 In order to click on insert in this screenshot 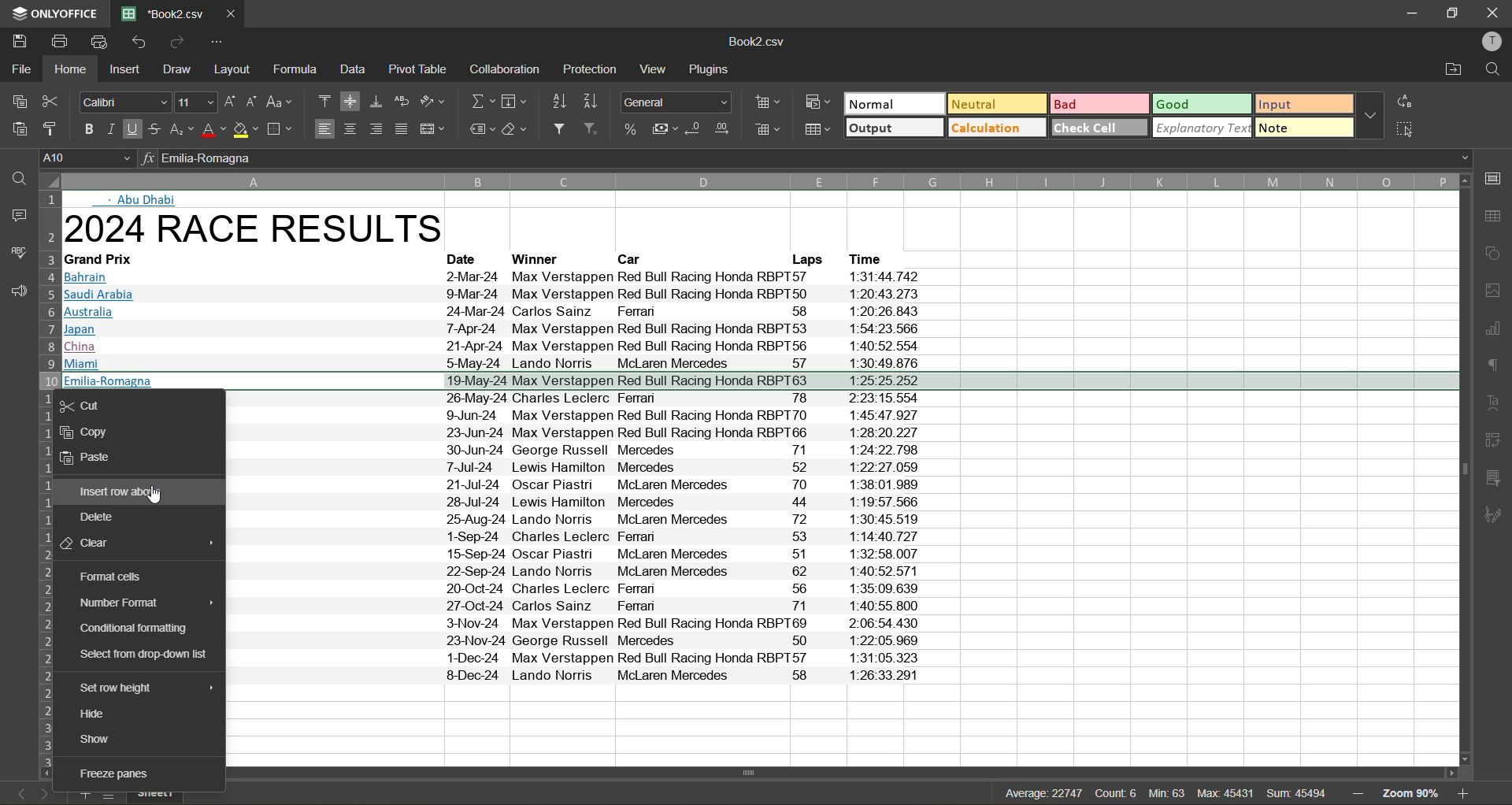, I will do `click(124, 69)`.